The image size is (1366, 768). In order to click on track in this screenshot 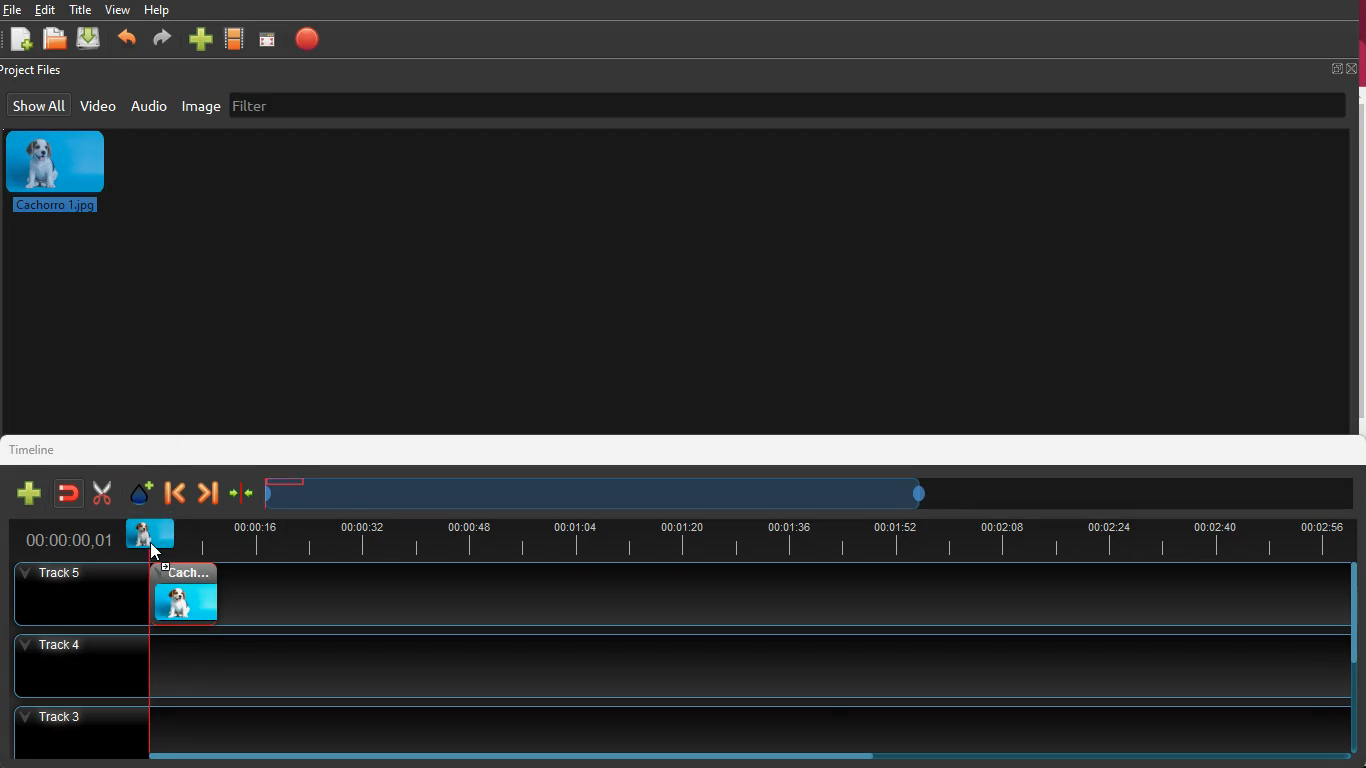, I will do `click(670, 666)`.